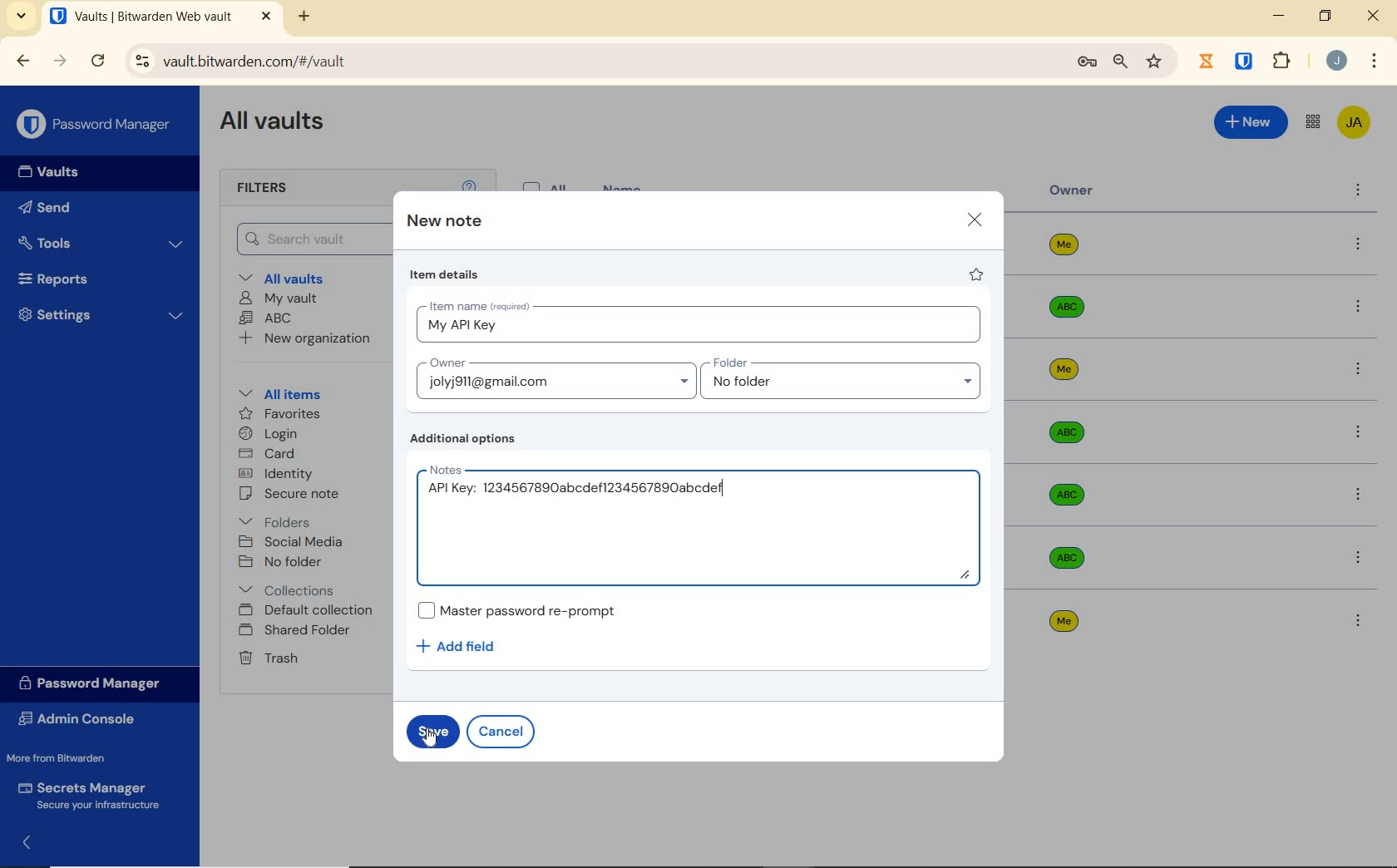  What do you see at coordinates (297, 279) in the screenshot?
I see `All vaults` at bounding box center [297, 279].